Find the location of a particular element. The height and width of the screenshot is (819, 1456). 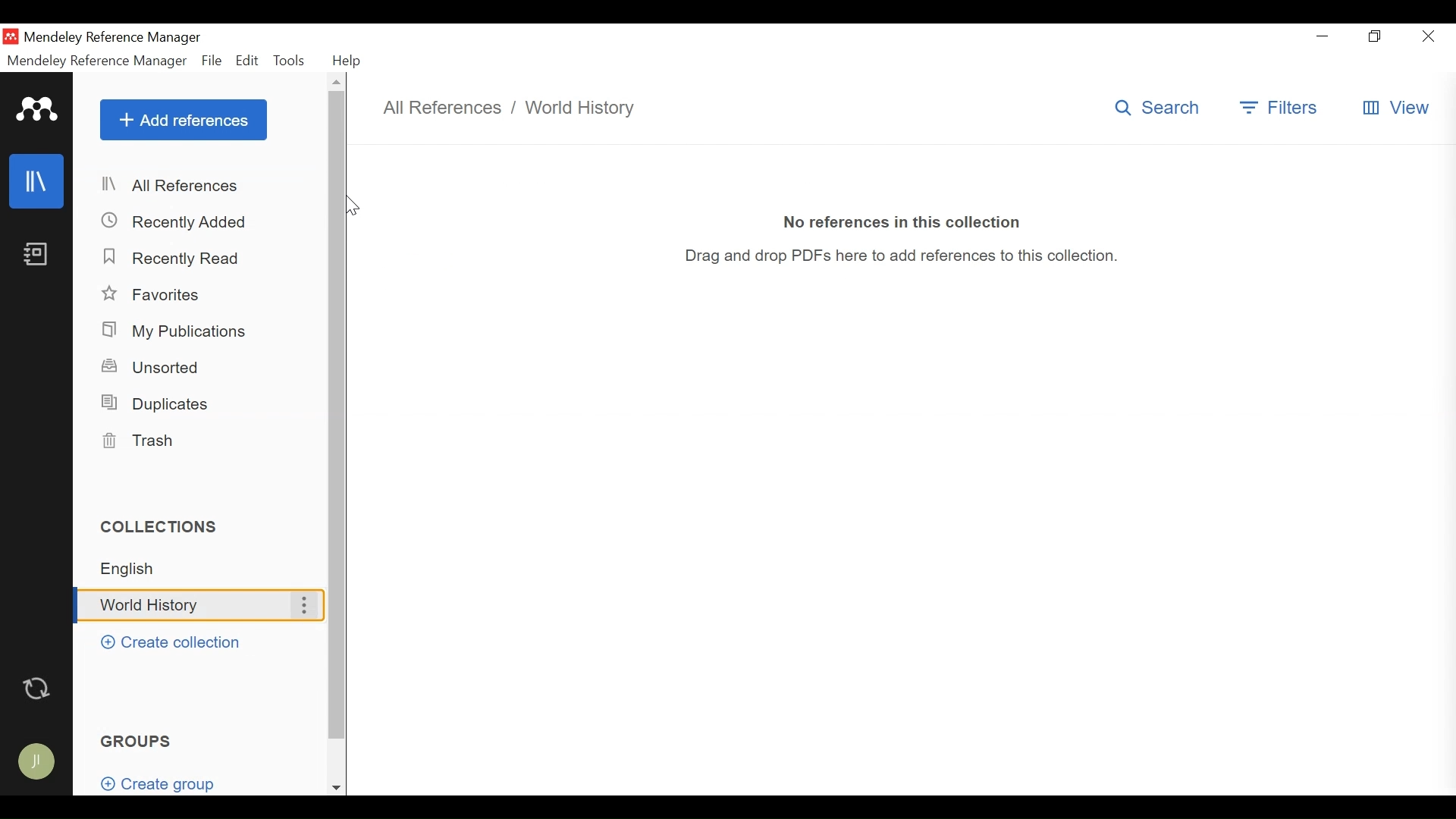

Groups is located at coordinates (139, 740).